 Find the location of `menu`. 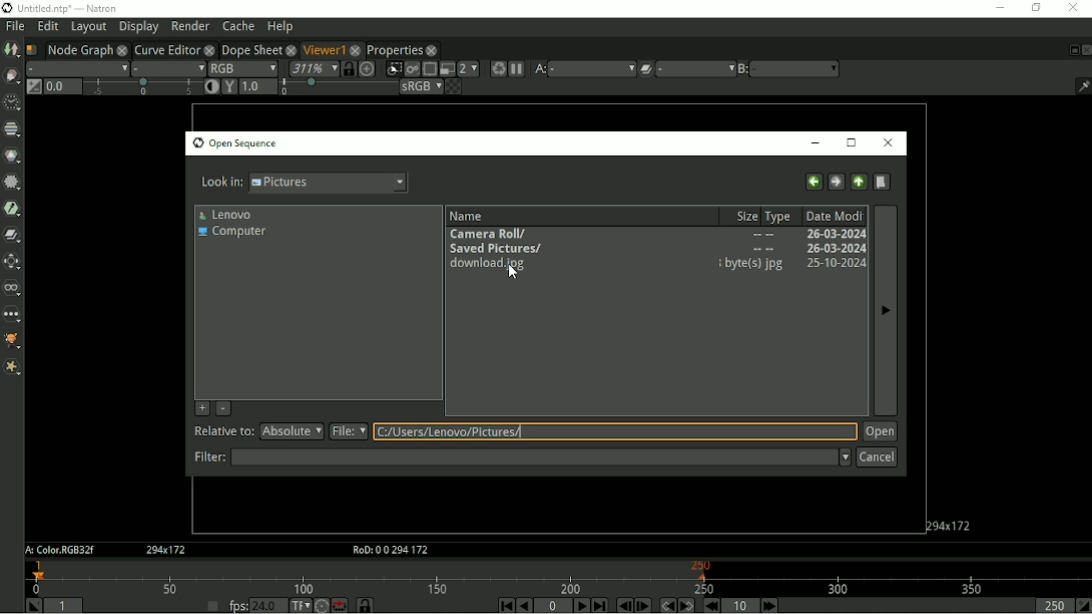

menu is located at coordinates (695, 69).